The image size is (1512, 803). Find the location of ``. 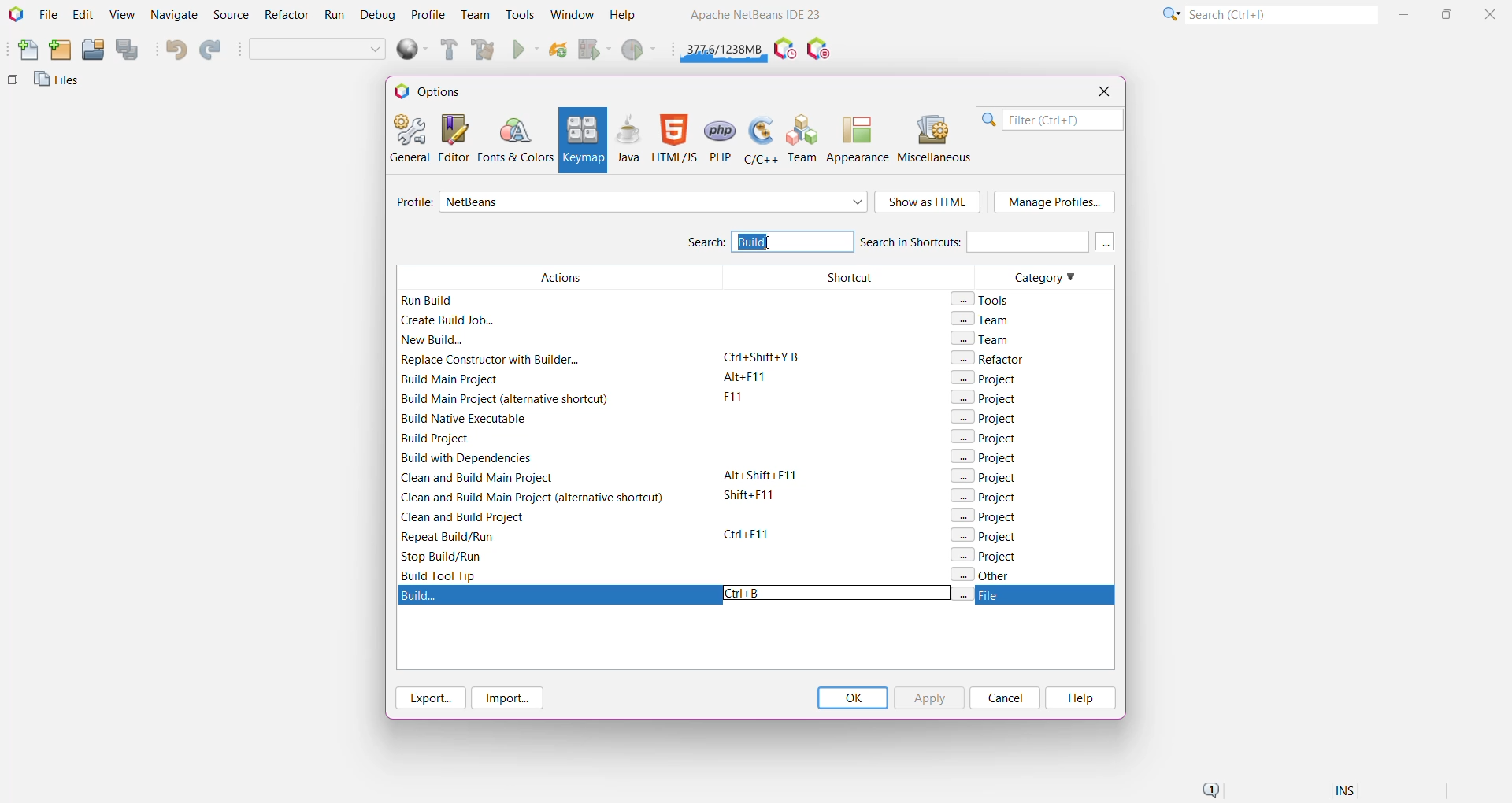

 is located at coordinates (13, 83).